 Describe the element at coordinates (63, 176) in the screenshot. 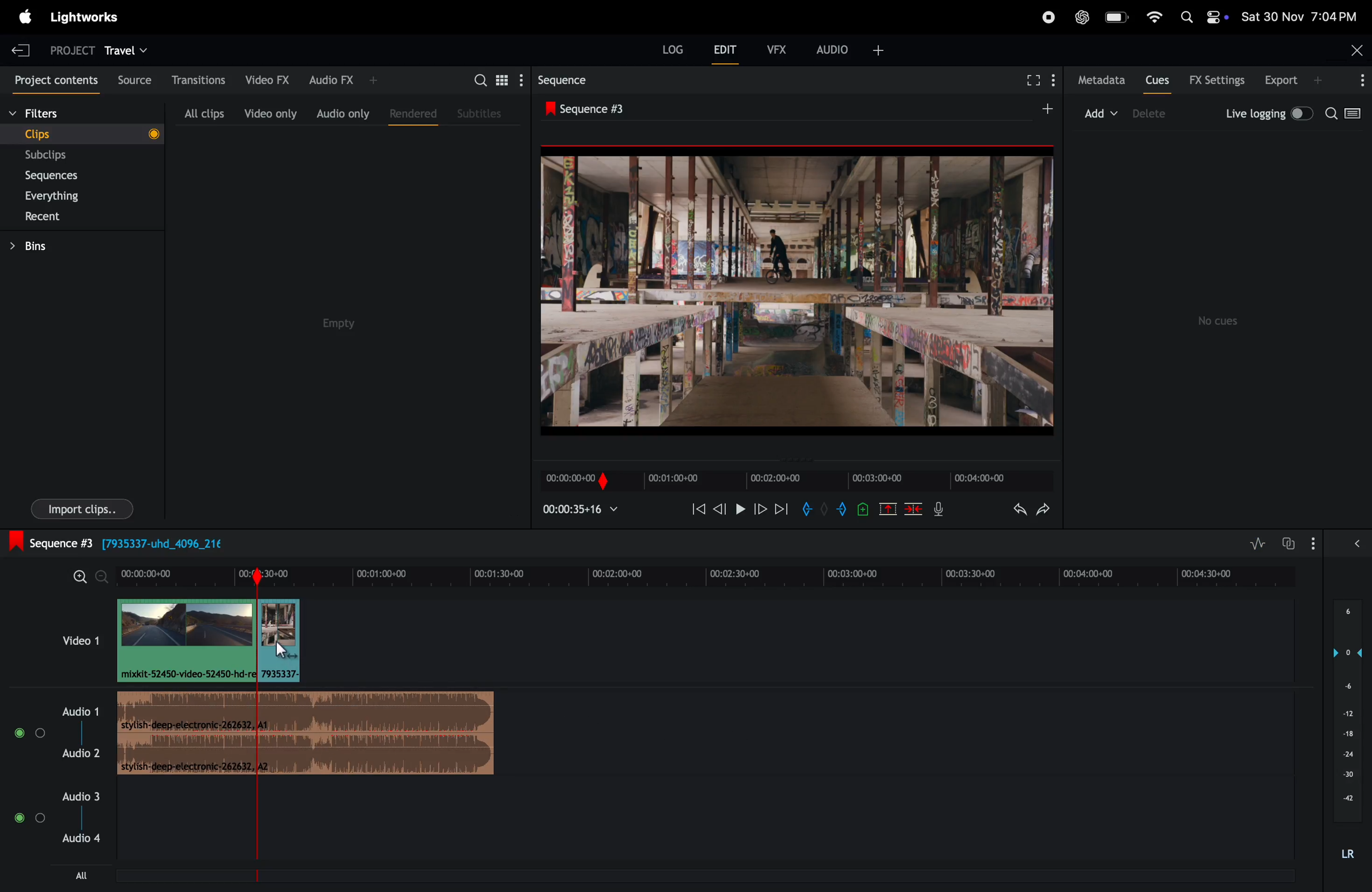

I see `sequences` at that location.